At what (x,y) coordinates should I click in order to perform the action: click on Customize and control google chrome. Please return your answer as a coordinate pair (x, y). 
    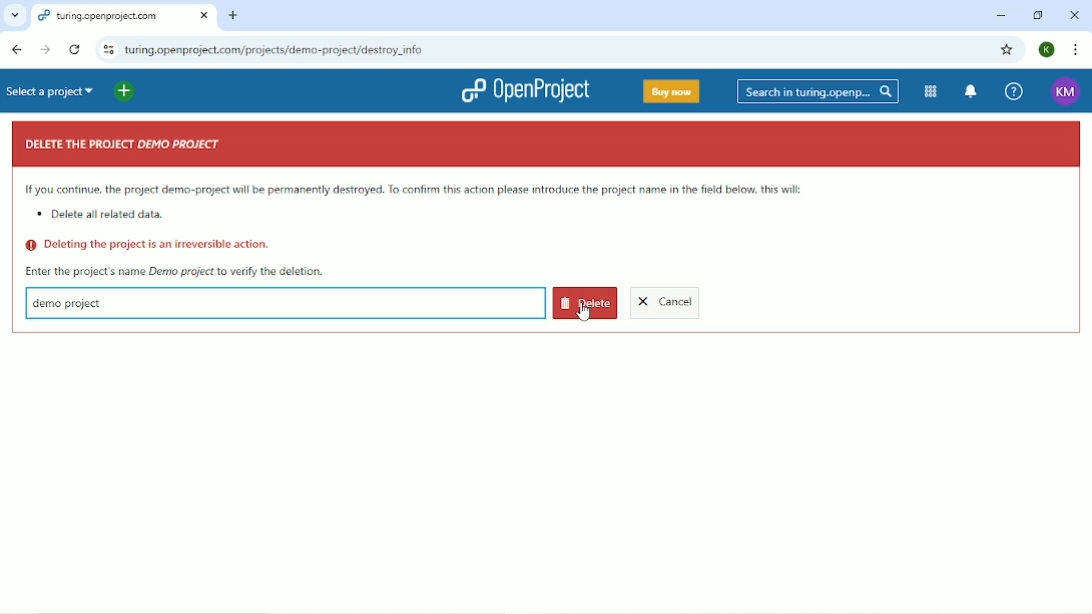
    Looking at the image, I should click on (1077, 50).